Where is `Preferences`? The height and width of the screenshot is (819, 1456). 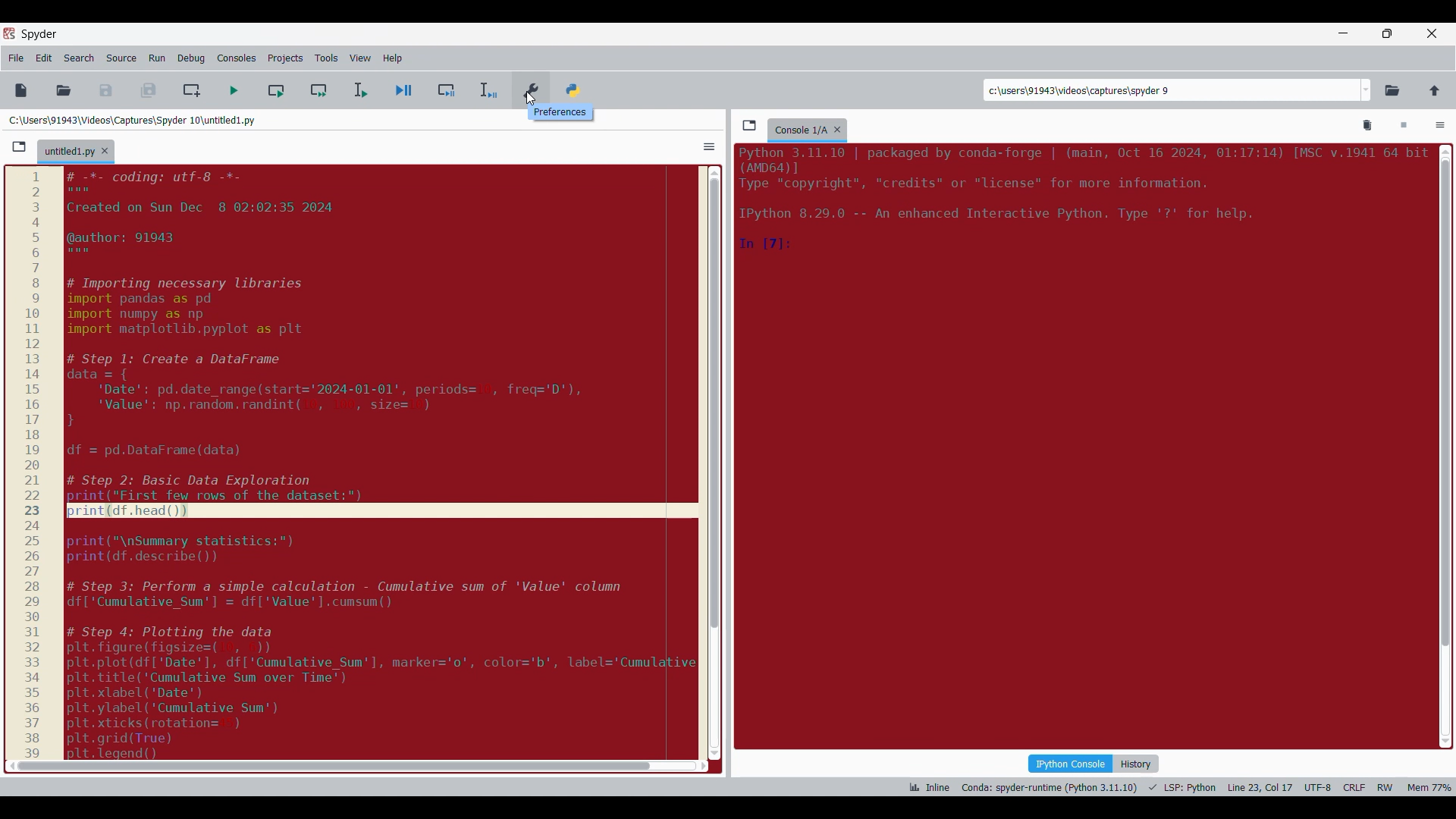
Preferences is located at coordinates (532, 87).